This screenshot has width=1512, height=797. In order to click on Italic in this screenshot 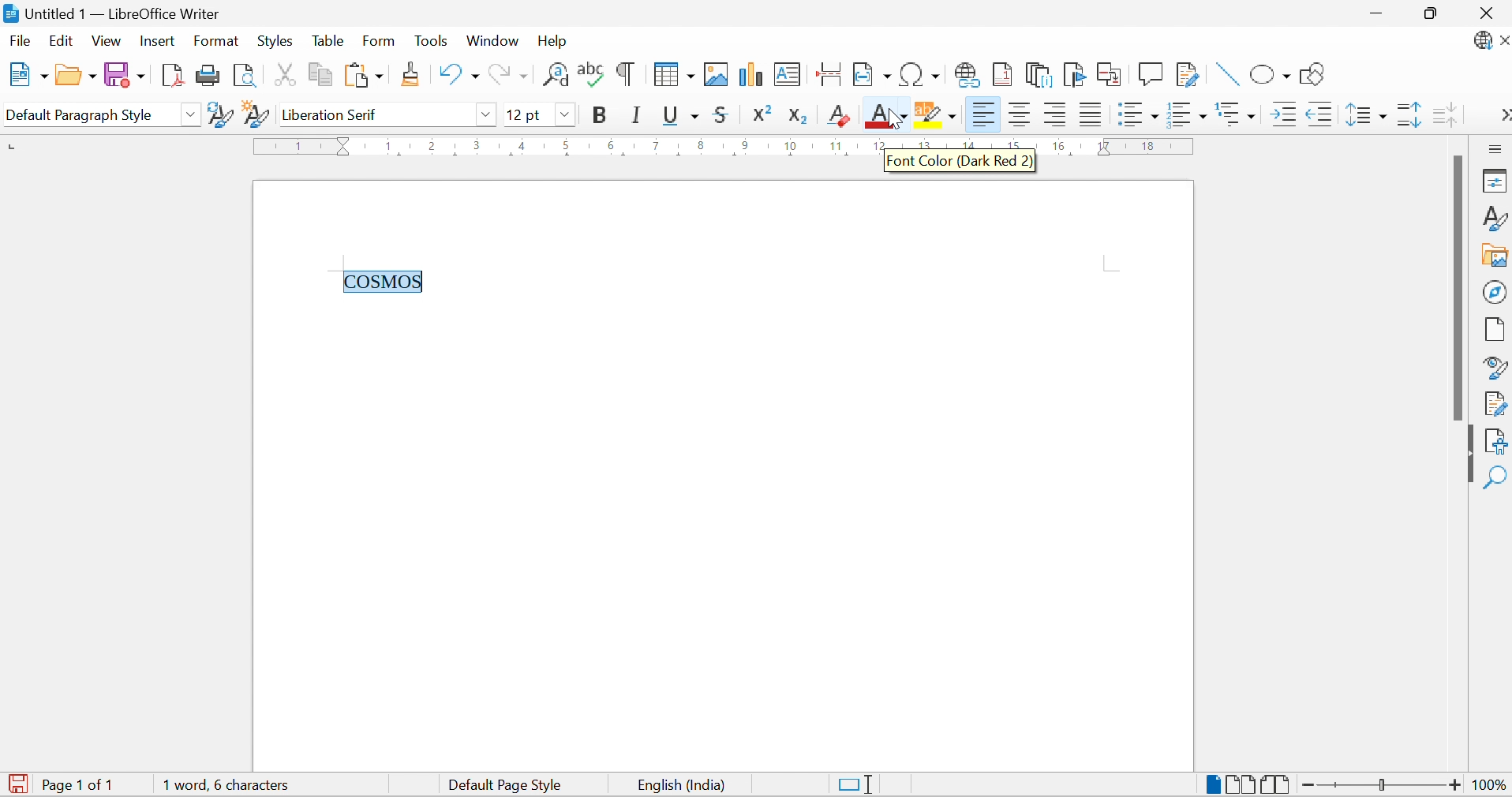, I will do `click(638, 114)`.